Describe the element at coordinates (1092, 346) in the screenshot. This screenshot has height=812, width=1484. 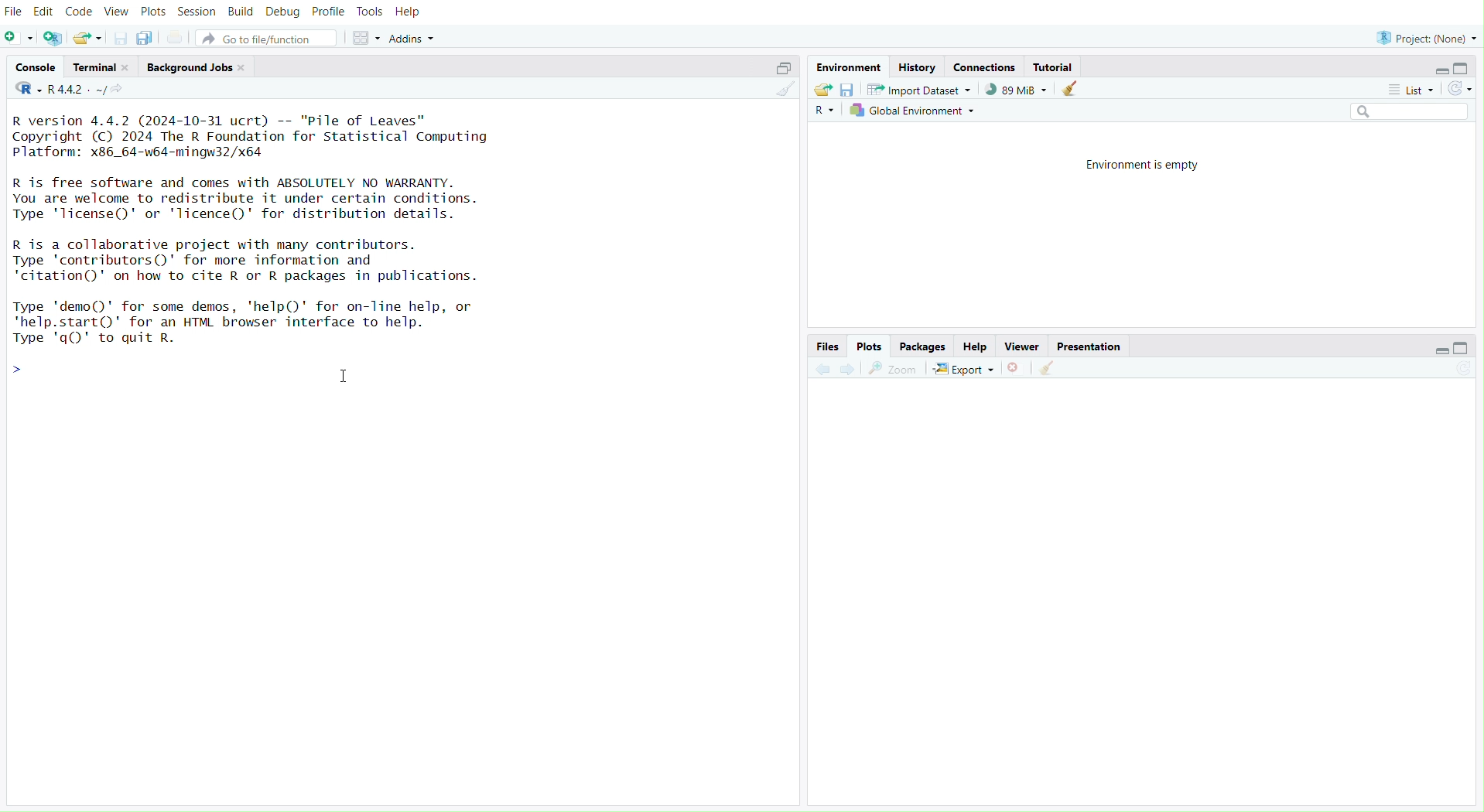
I see `Presentation` at that location.